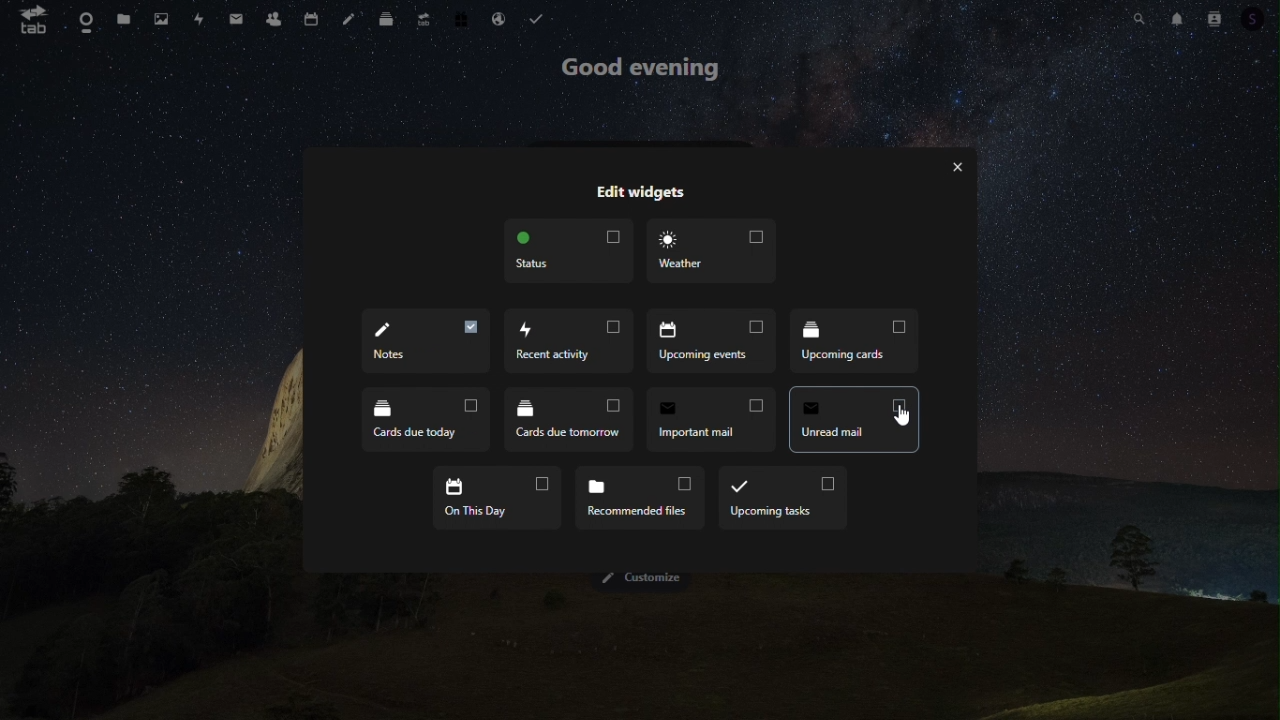  Describe the element at coordinates (463, 20) in the screenshot. I see `free trial ` at that location.